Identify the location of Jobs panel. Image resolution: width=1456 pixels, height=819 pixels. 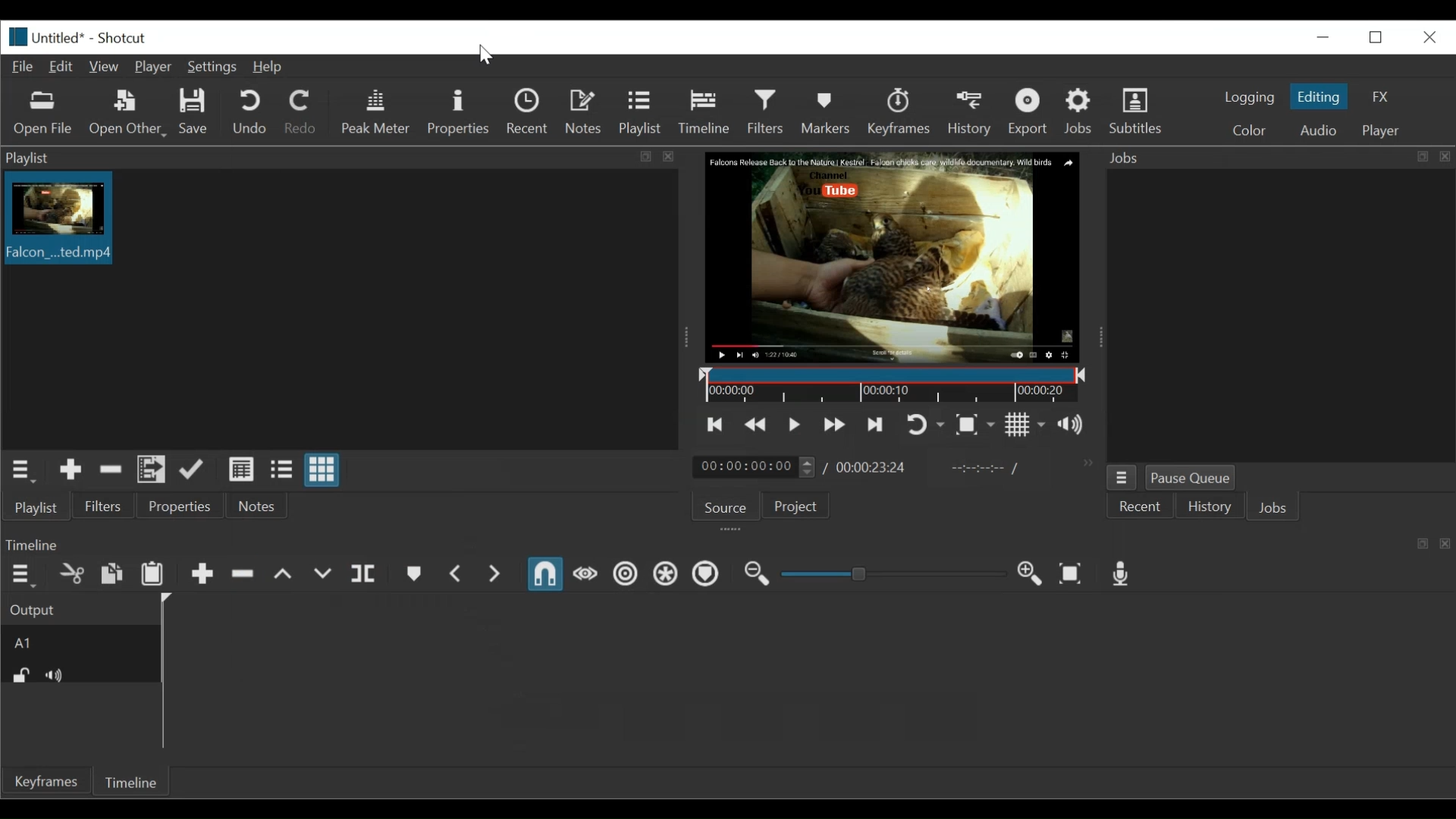
(1277, 318).